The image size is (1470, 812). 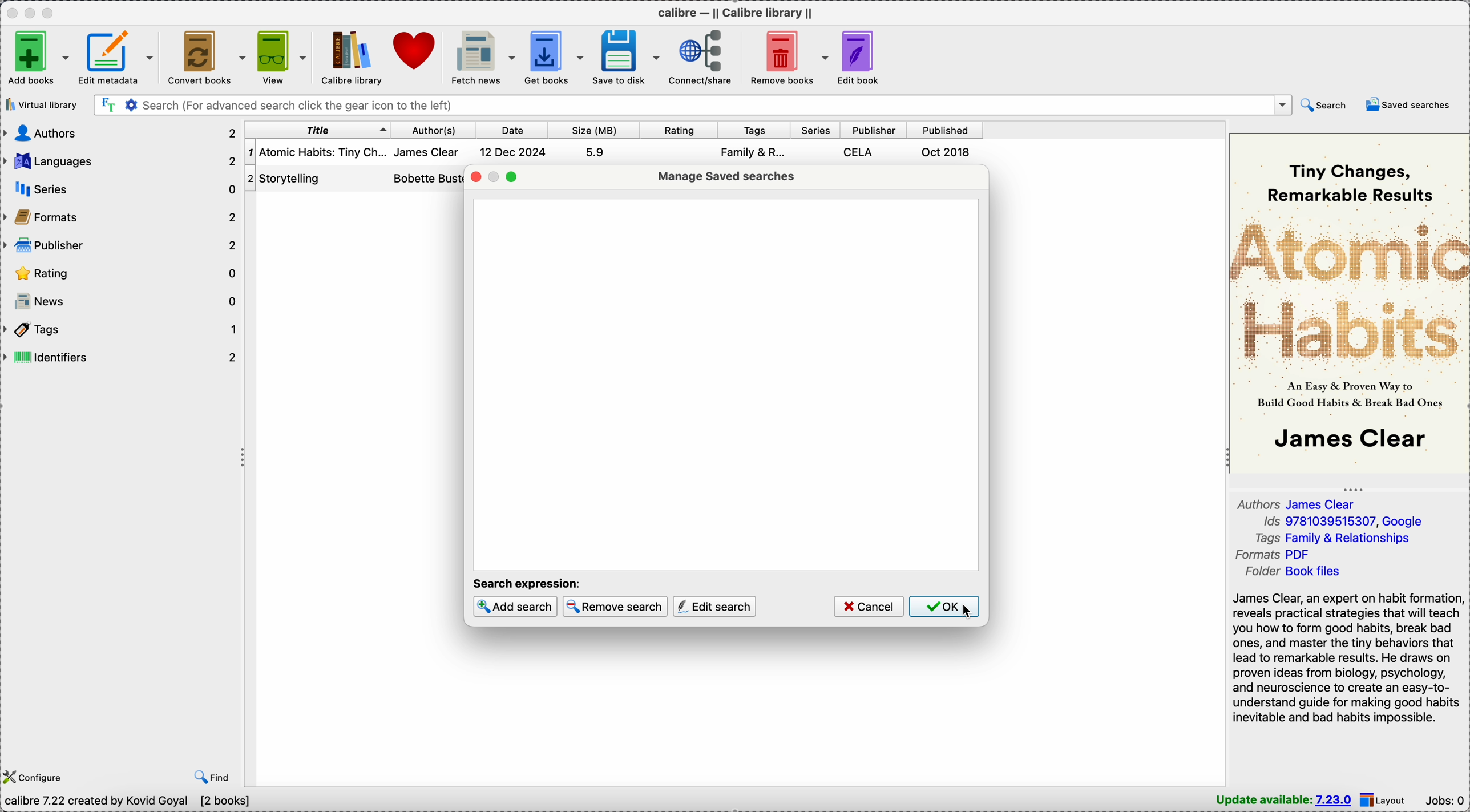 What do you see at coordinates (1339, 538) in the screenshot?
I see `tags: family & relationships` at bounding box center [1339, 538].